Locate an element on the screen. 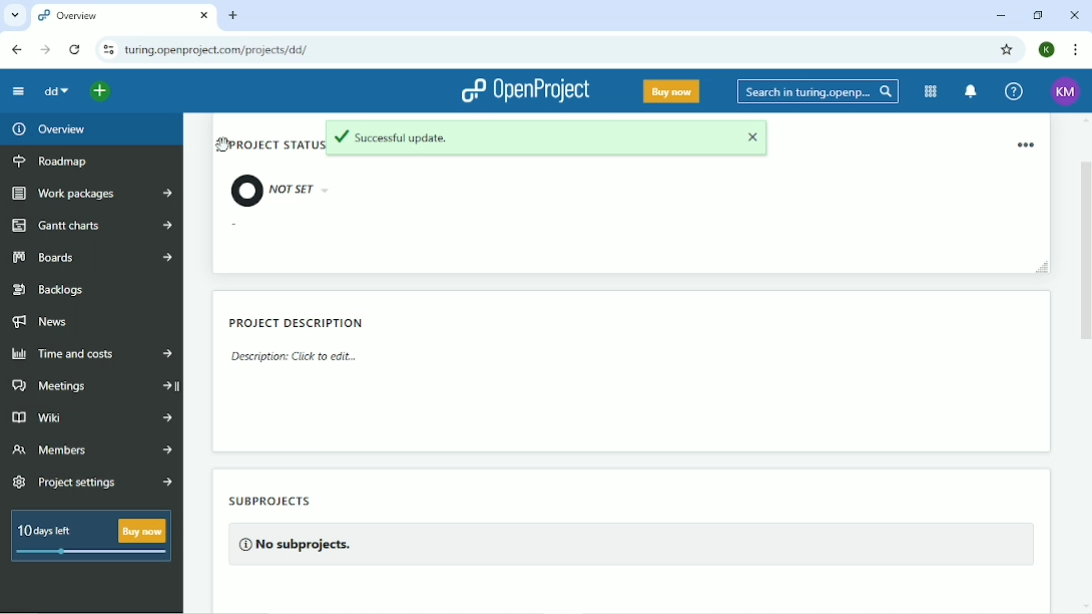 The height and width of the screenshot is (614, 1092). Collapse project menu is located at coordinates (19, 92).